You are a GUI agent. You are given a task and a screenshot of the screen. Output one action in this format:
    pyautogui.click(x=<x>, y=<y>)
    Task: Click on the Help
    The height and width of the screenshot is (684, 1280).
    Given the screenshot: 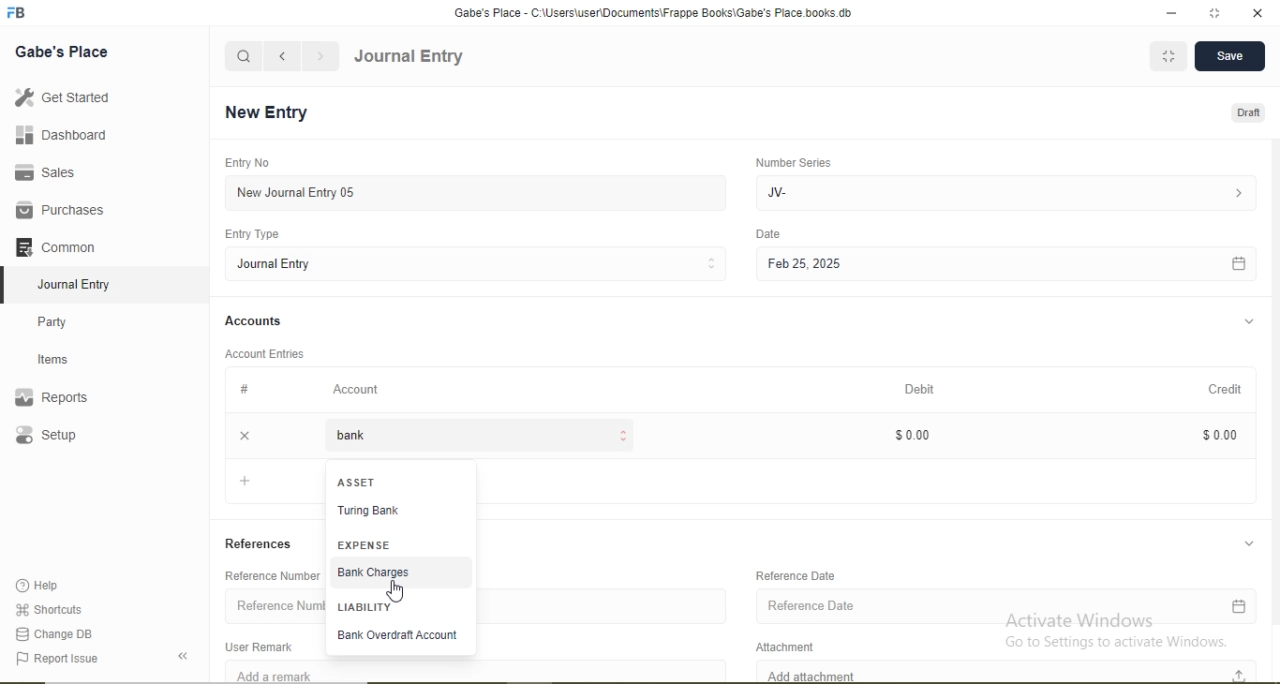 What is the action you would take?
    pyautogui.click(x=46, y=586)
    